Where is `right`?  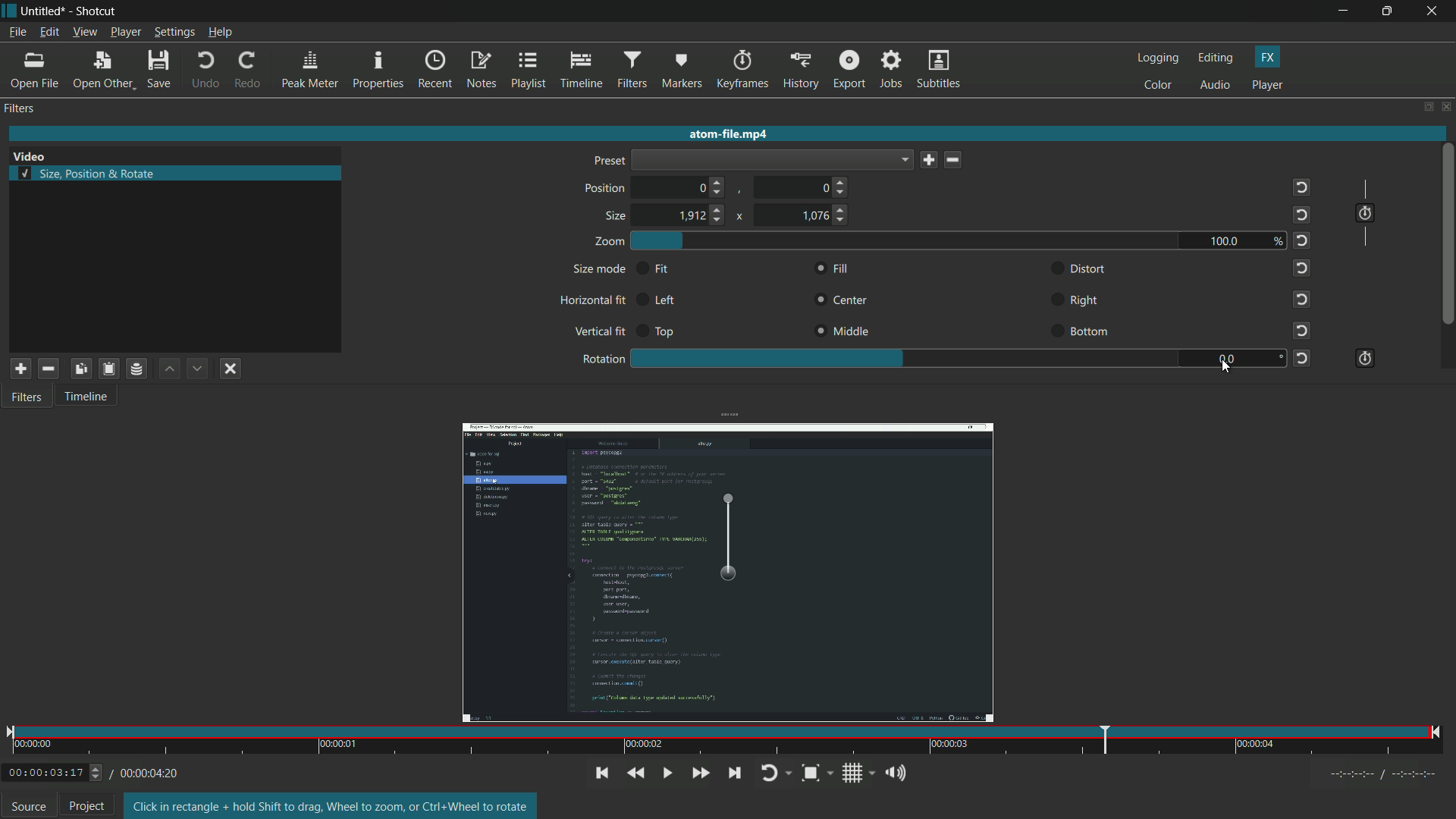 right is located at coordinates (1087, 301).